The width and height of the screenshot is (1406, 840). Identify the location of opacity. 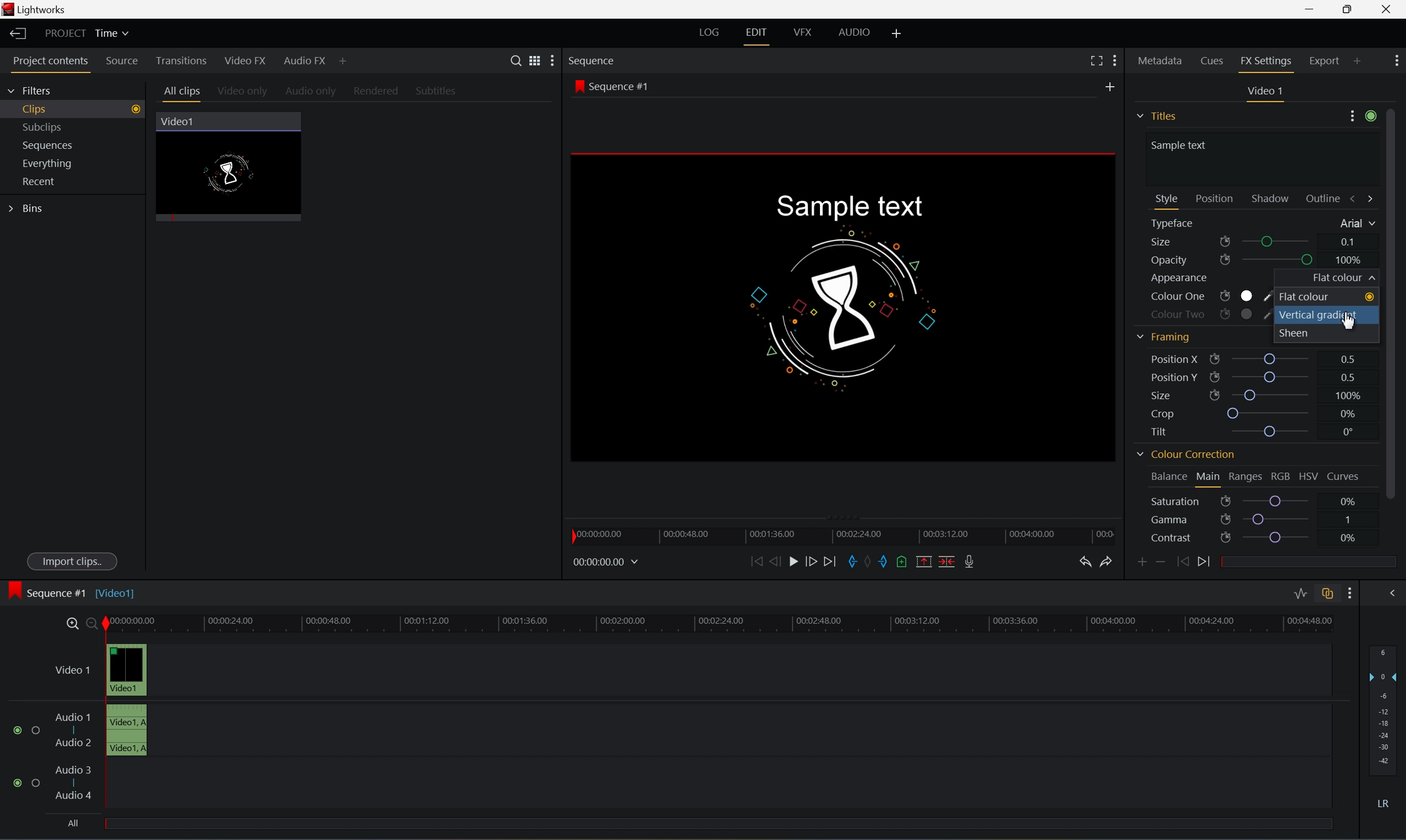
(1190, 261).